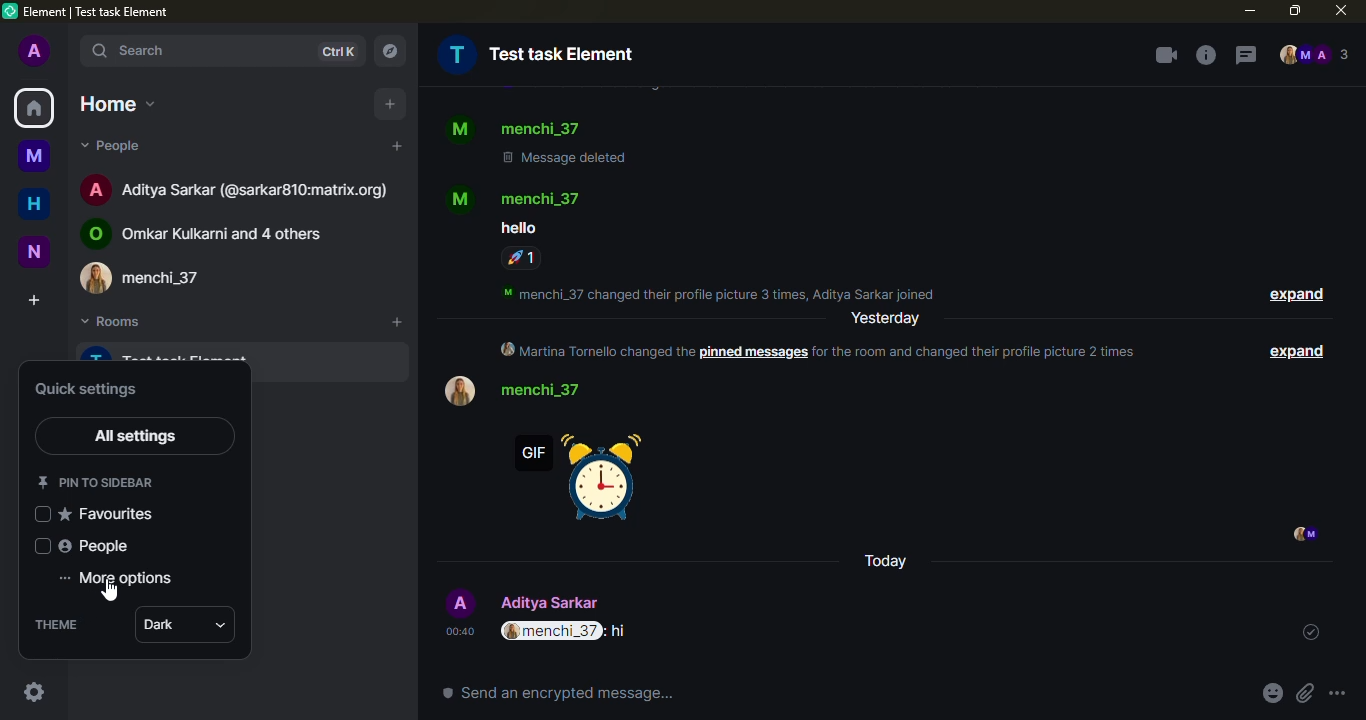 The height and width of the screenshot is (720, 1366). What do you see at coordinates (459, 131) in the screenshot?
I see `profile` at bounding box center [459, 131].